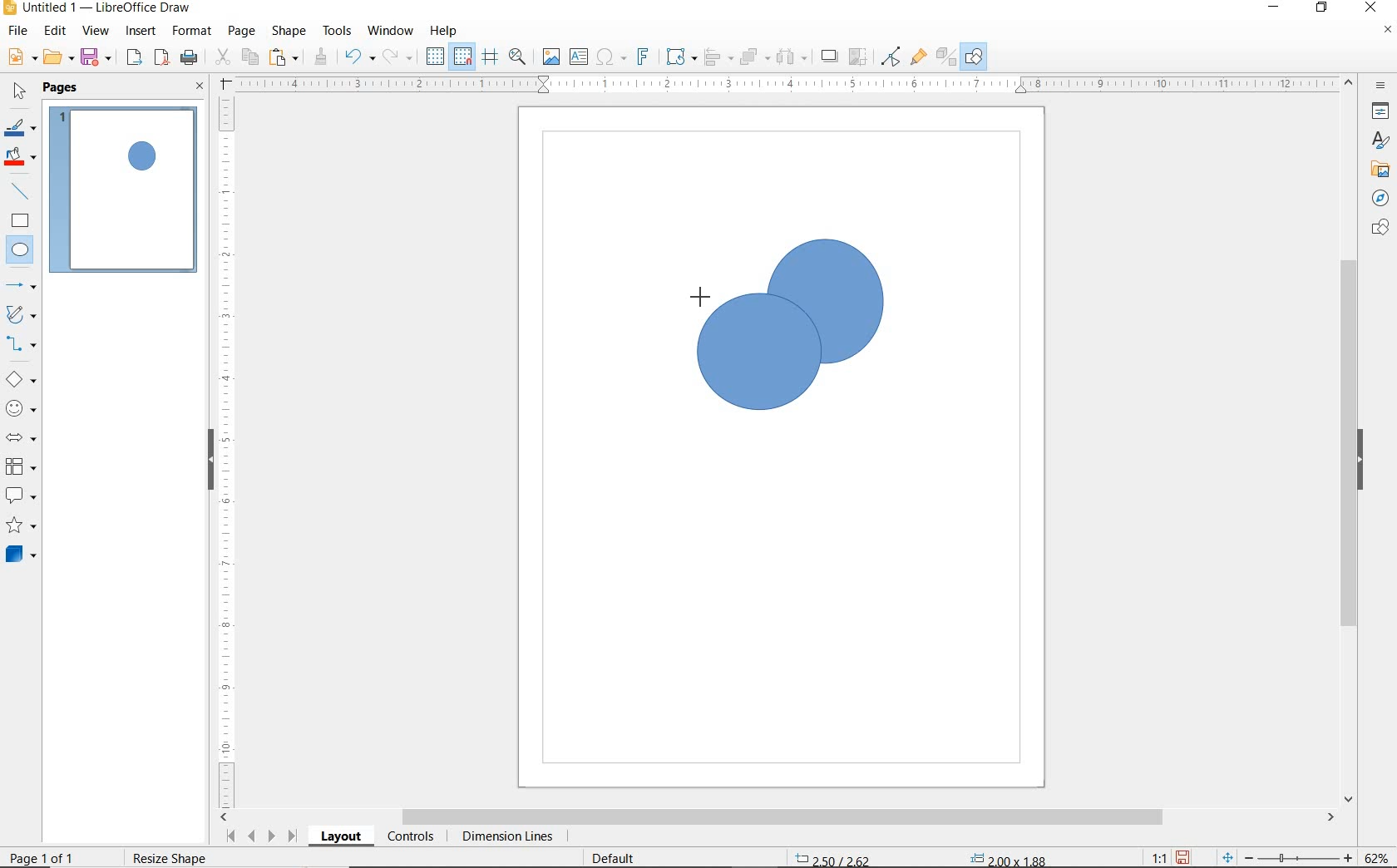  What do you see at coordinates (754, 57) in the screenshot?
I see `ARRANGE` at bounding box center [754, 57].